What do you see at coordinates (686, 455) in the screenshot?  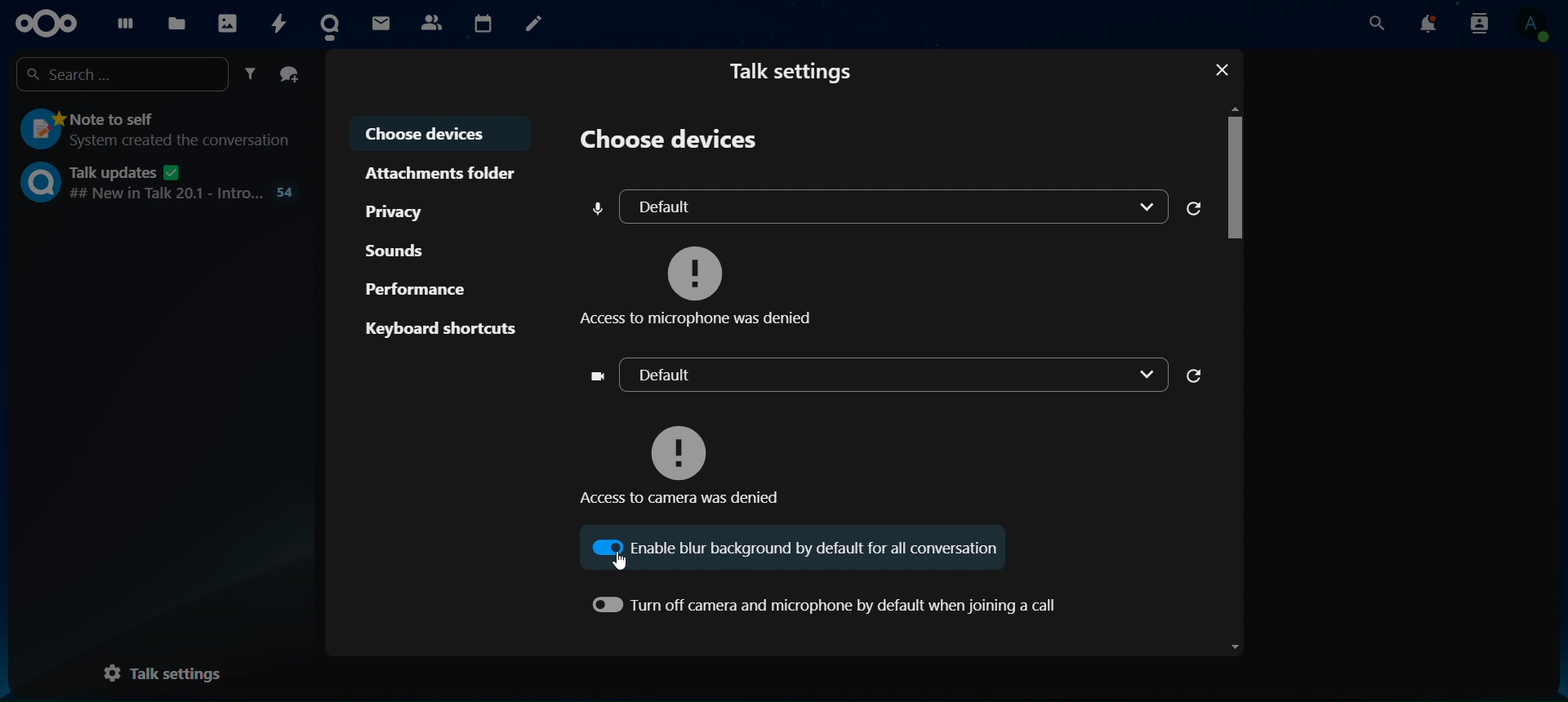 I see `access to camera was denied` at bounding box center [686, 455].